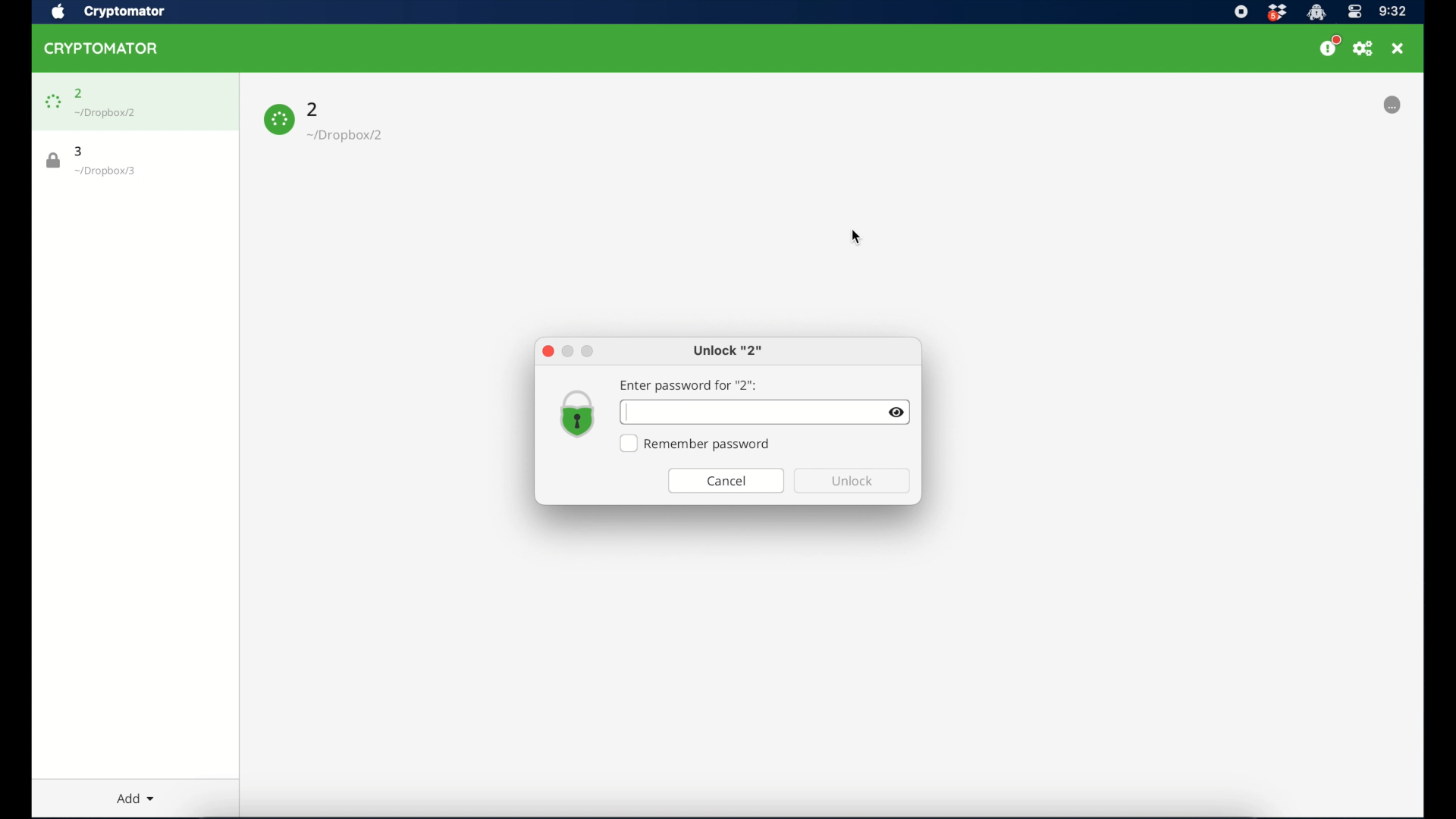 This screenshot has width=1456, height=819. Describe the element at coordinates (698, 444) in the screenshot. I see `remember password checkbox` at that location.